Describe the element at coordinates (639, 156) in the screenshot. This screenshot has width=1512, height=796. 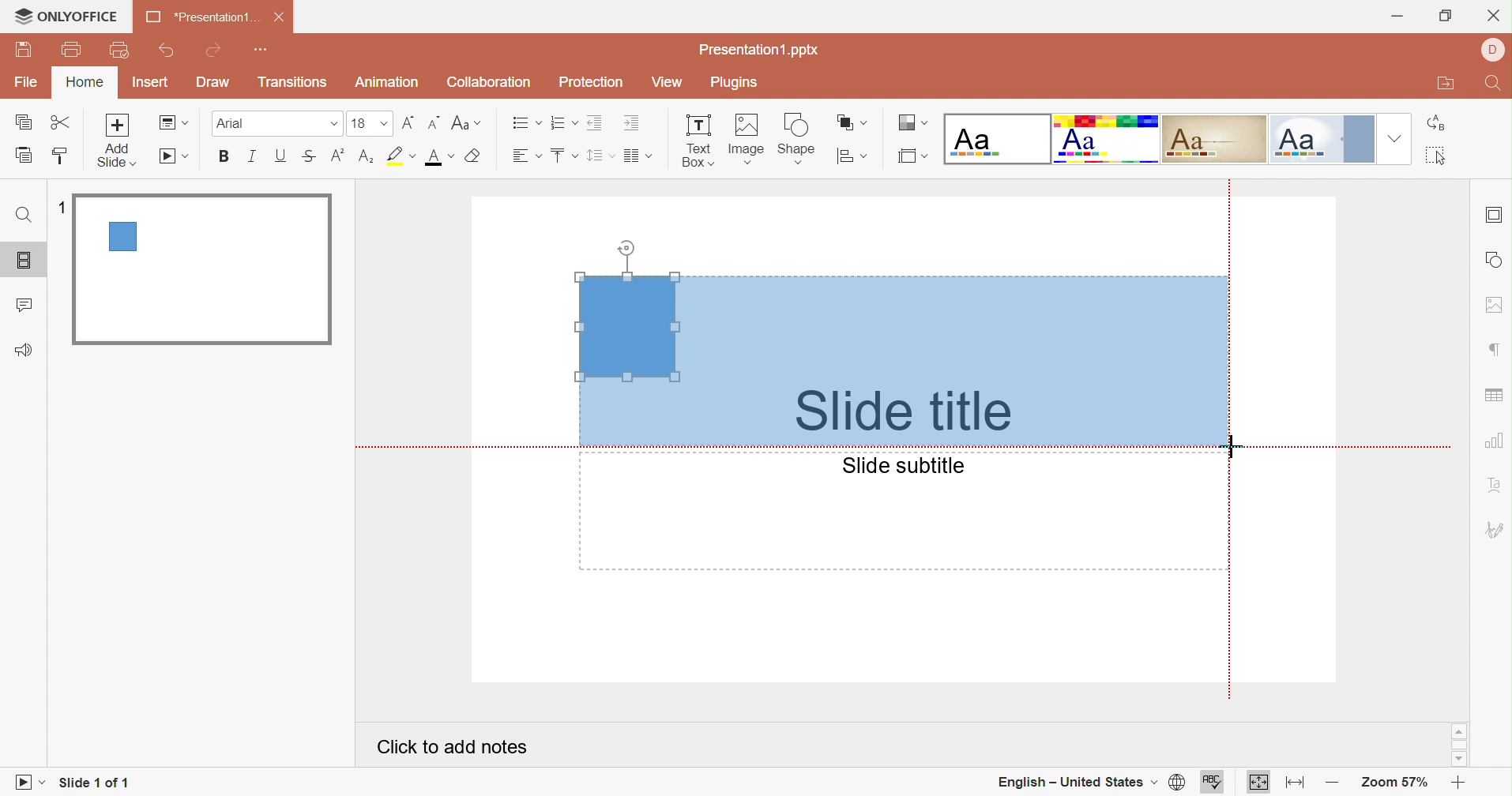
I see `Insert columns` at that location.